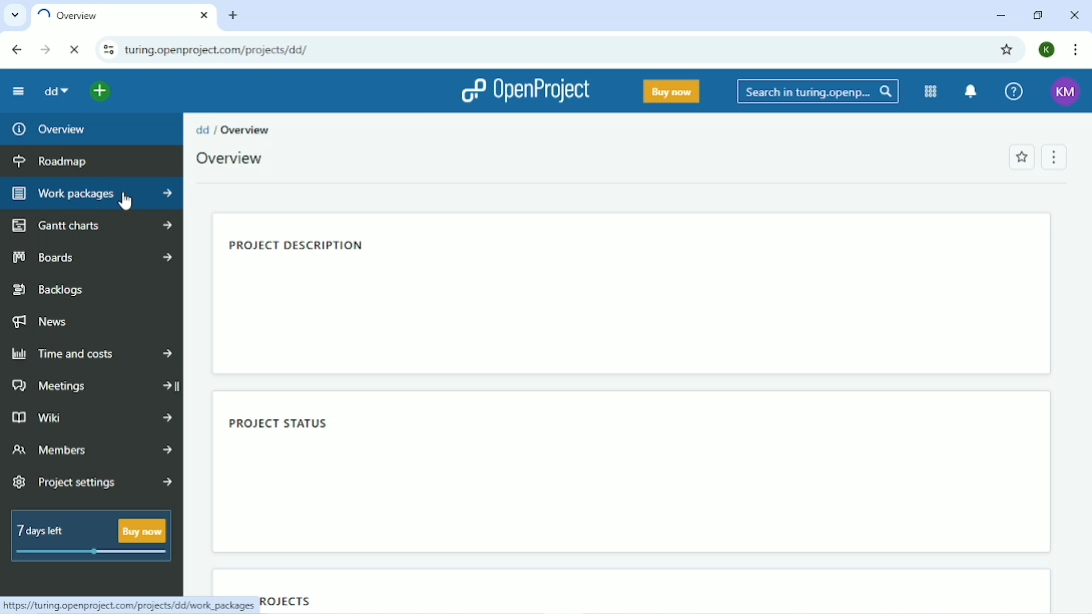 The height and width of the screenshot is (614, 1092). Describe the element at coordinates (92, 537) in the screenshot. I see `7 days left` at that location.